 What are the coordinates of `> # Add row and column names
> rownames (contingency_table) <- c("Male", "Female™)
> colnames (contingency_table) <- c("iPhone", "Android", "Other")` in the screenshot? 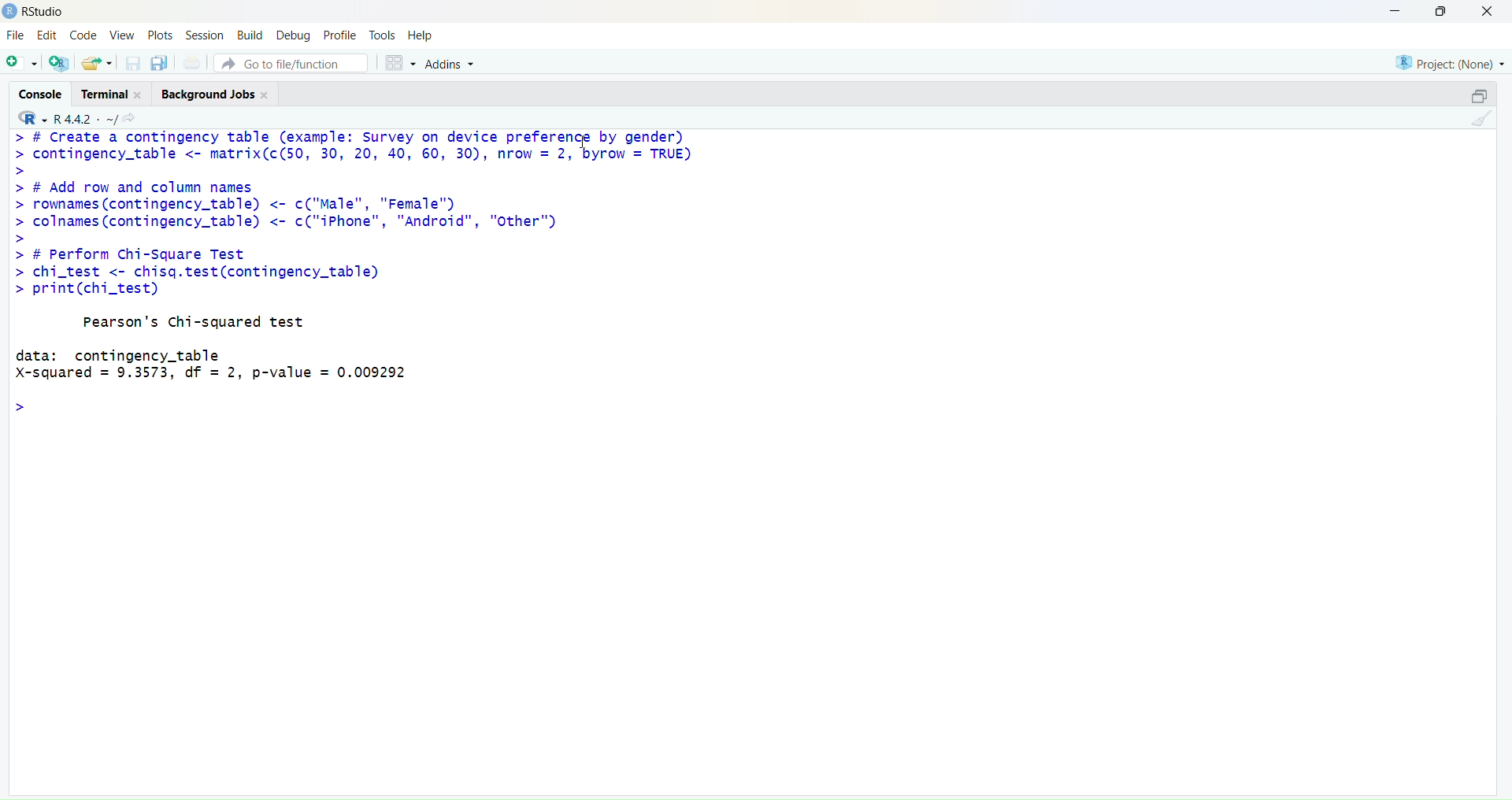 It's located at (286, 206).